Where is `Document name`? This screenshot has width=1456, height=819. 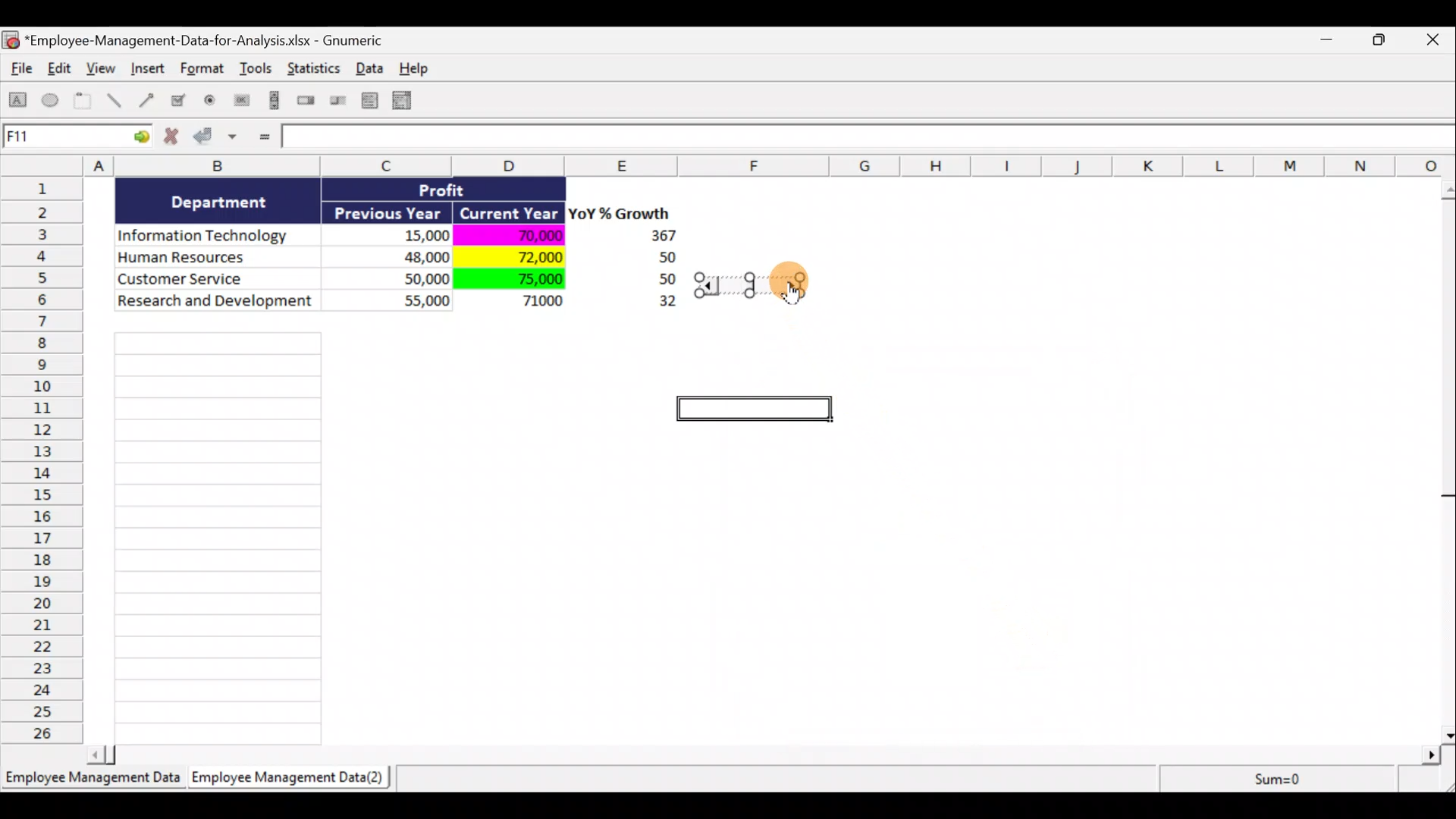
Document name is located at coordinates (201, 42).